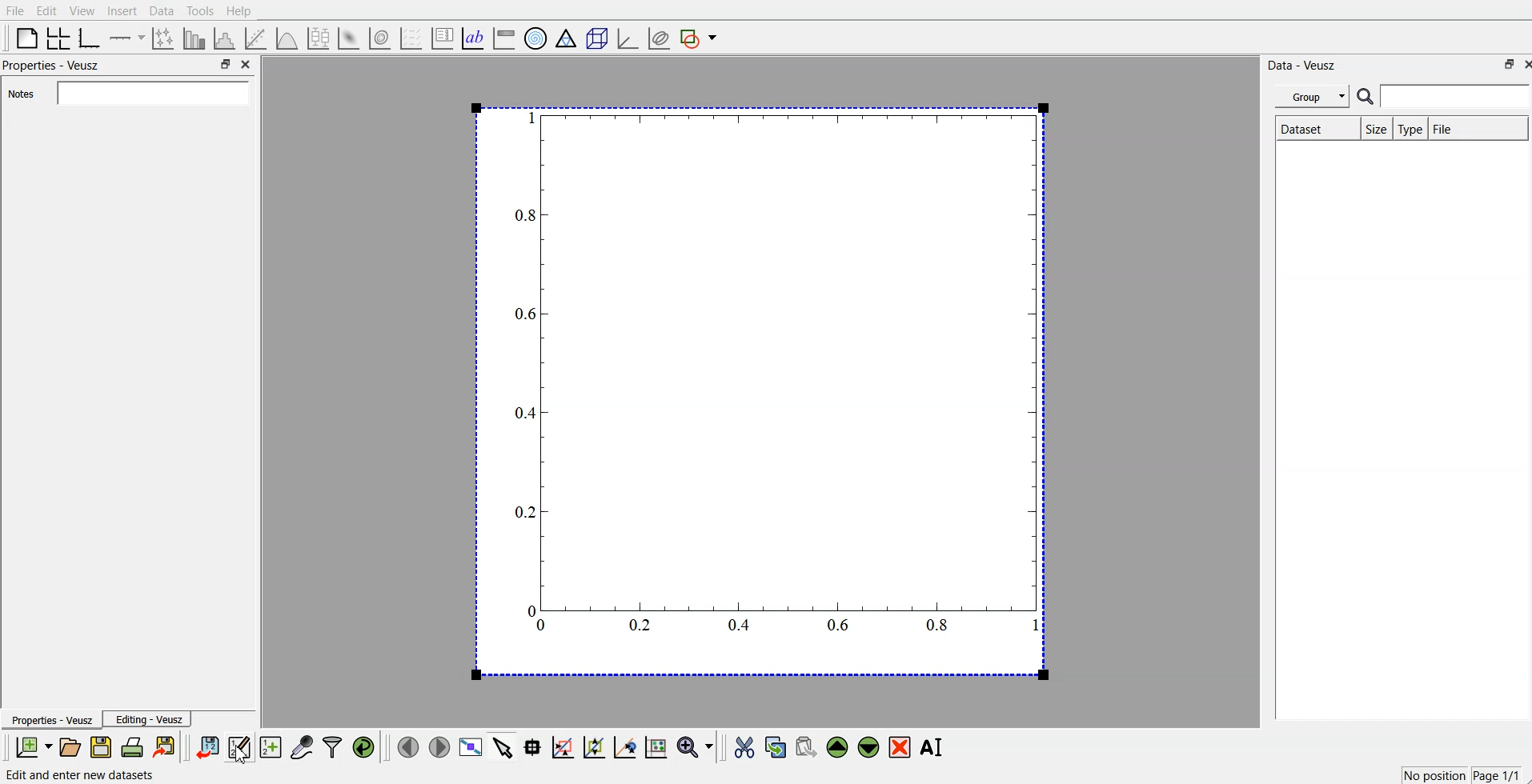 The width and height of the screenshot is (1532, 784). Describe the element at coordinates (133, 749) in the screenshot. I see `print document` at that location.